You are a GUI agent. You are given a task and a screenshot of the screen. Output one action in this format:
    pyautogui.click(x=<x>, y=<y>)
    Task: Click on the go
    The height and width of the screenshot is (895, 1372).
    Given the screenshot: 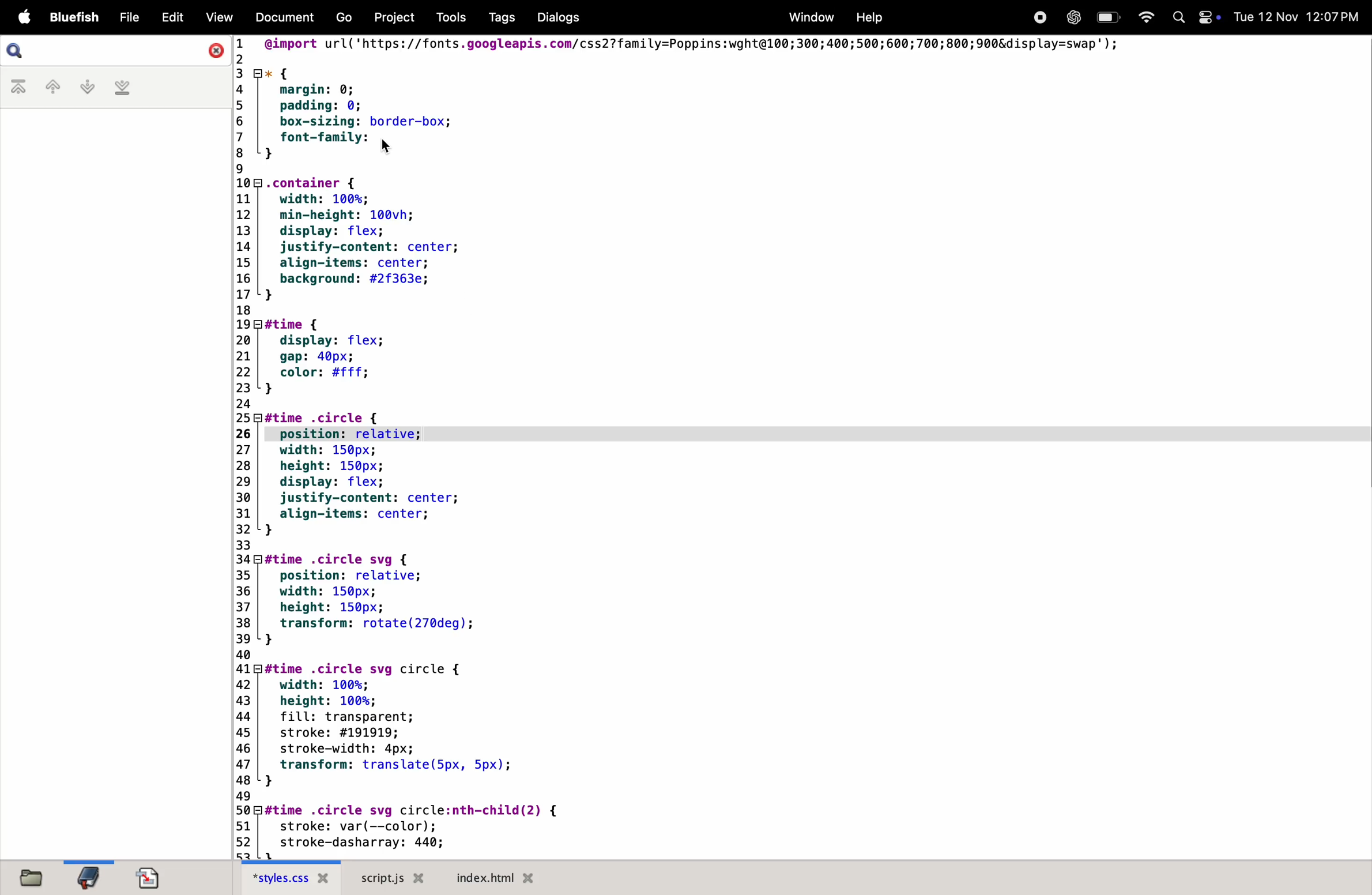 What is the action you would take?
    pyautogui.click(x=345, y=18)
    